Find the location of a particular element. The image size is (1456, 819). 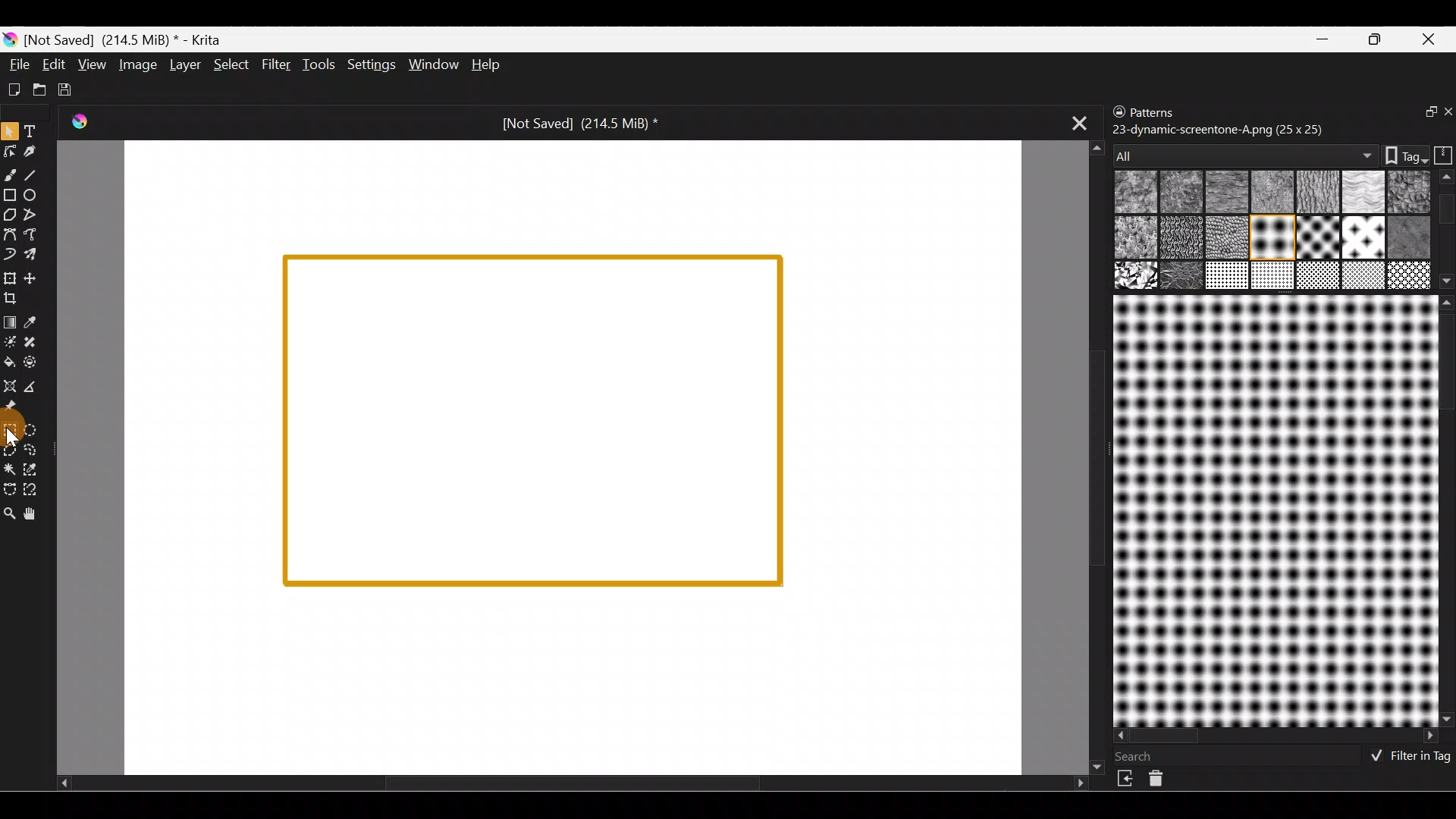

Contiguous selection tool is located at coordinates (11, 470).